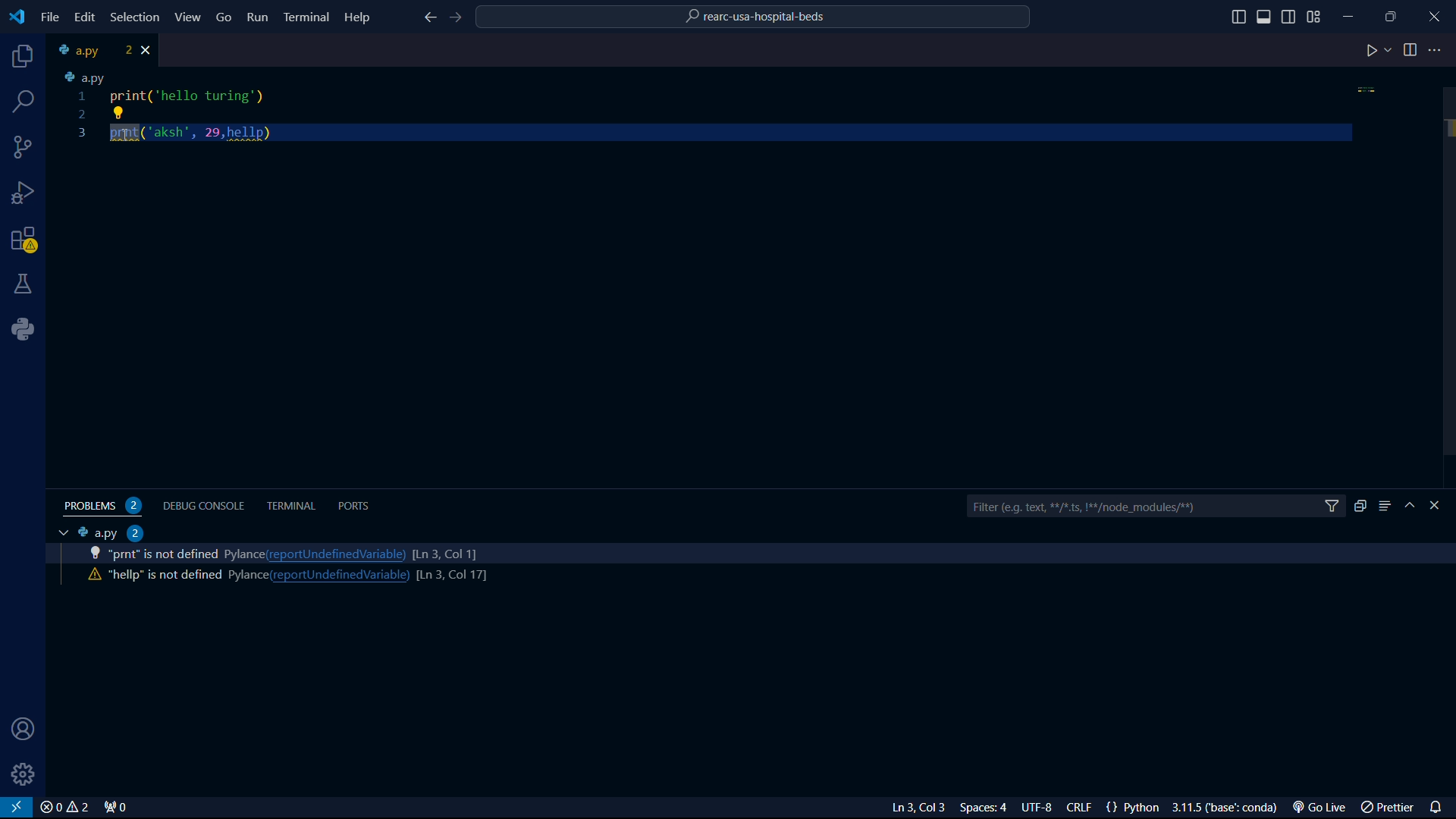 This screenshot has height=819, width=1456. I want to click on foward, so click(459, 18).